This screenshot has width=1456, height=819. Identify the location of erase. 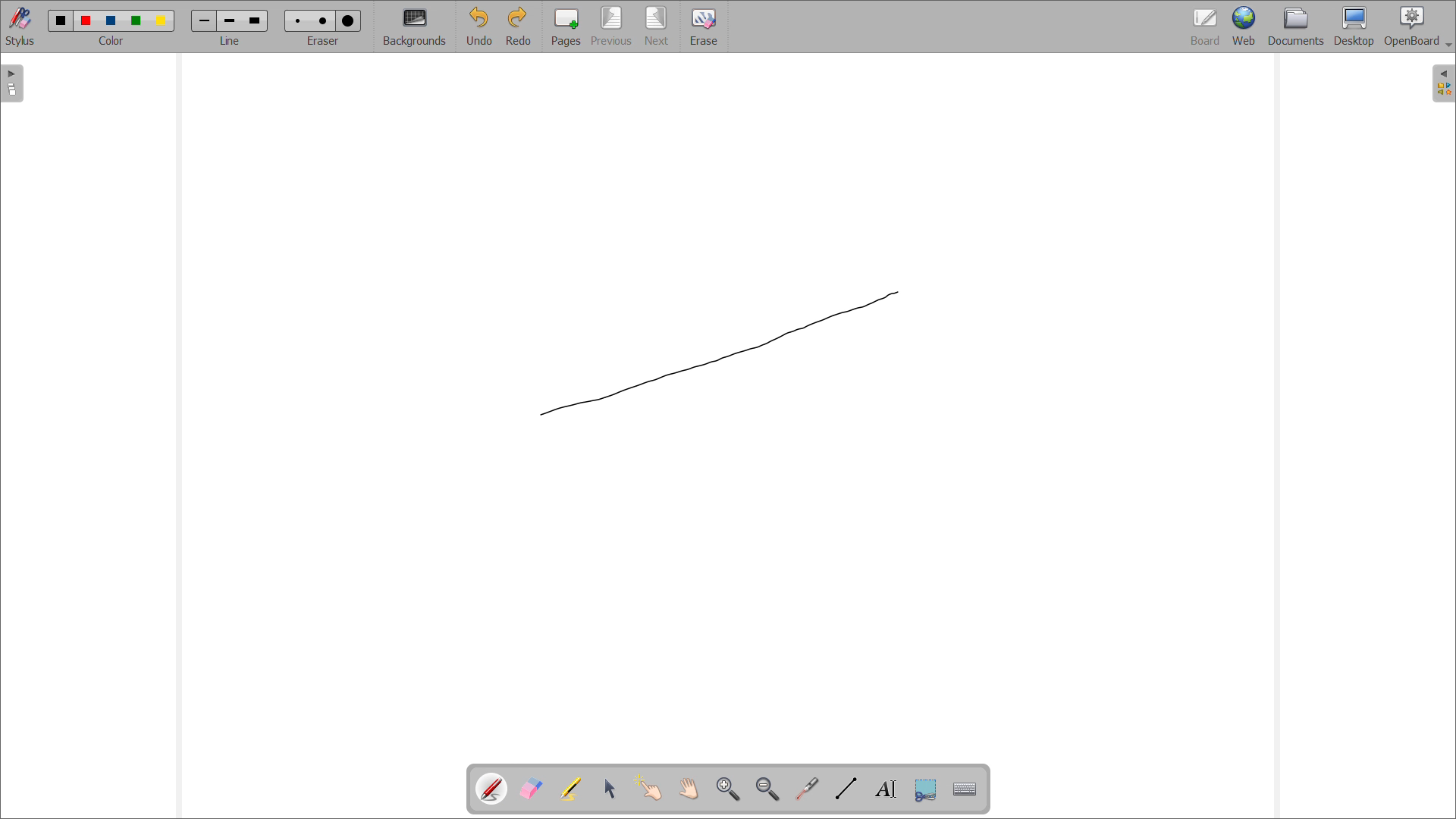
(704, 27).